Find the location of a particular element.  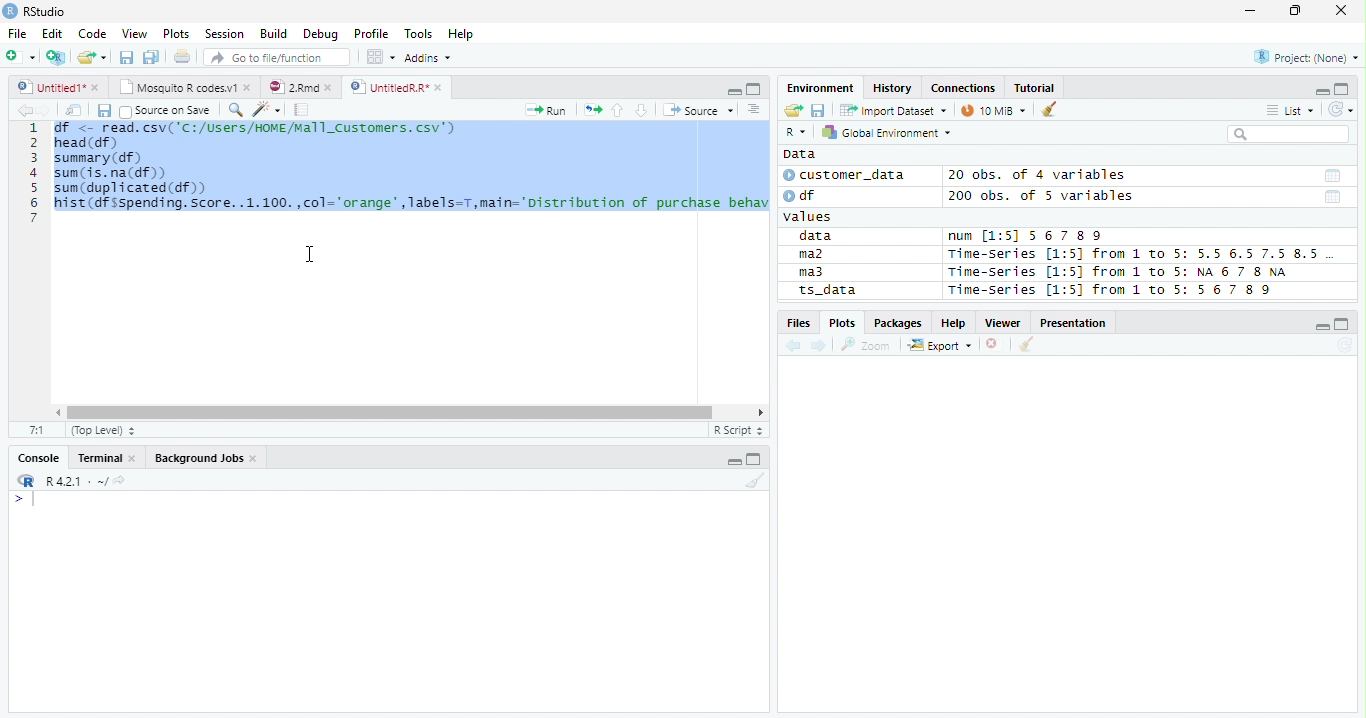

Print is located at coordinates (181, 57).